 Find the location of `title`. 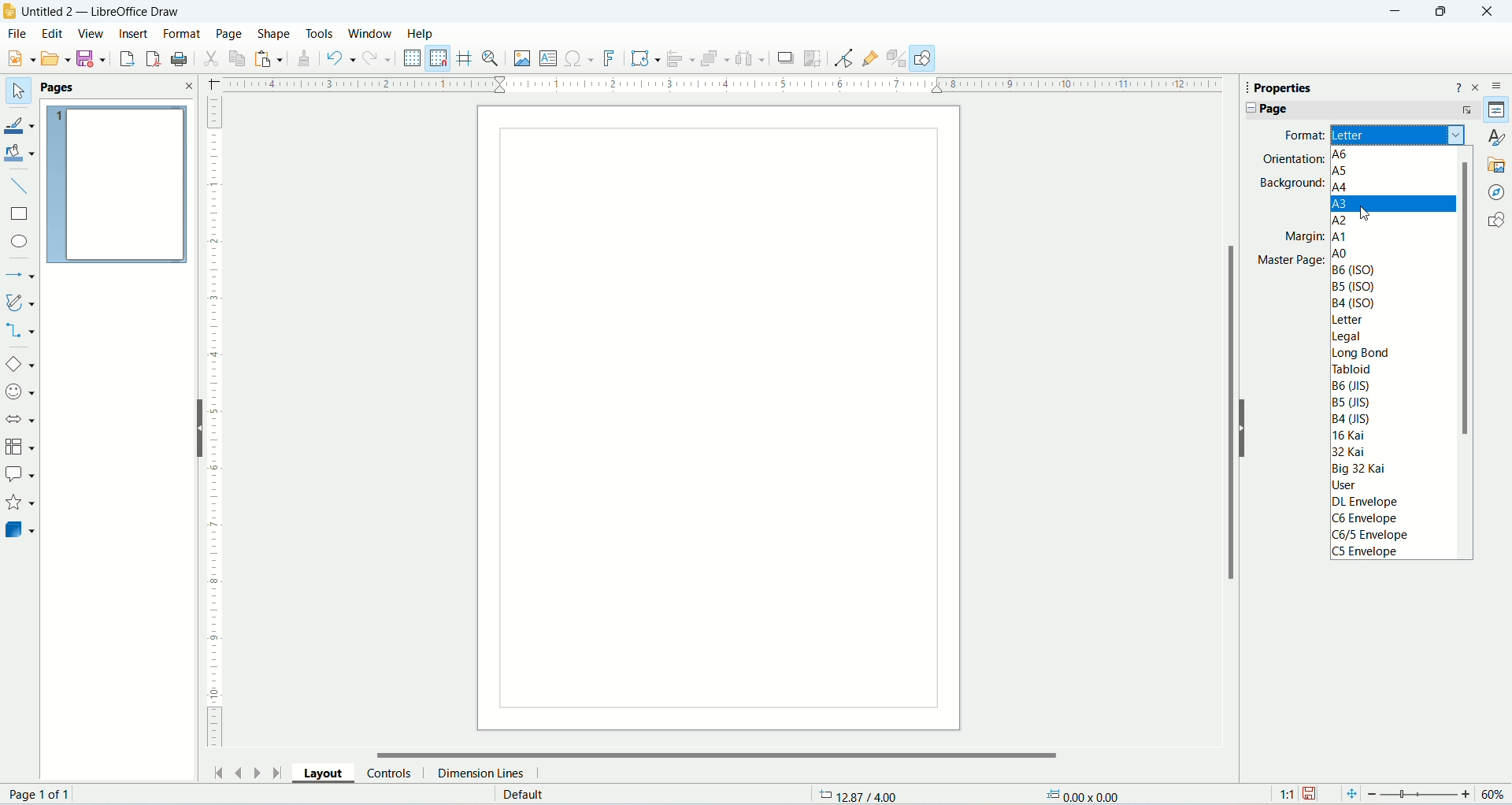

title is located at coordinates (104, 12).